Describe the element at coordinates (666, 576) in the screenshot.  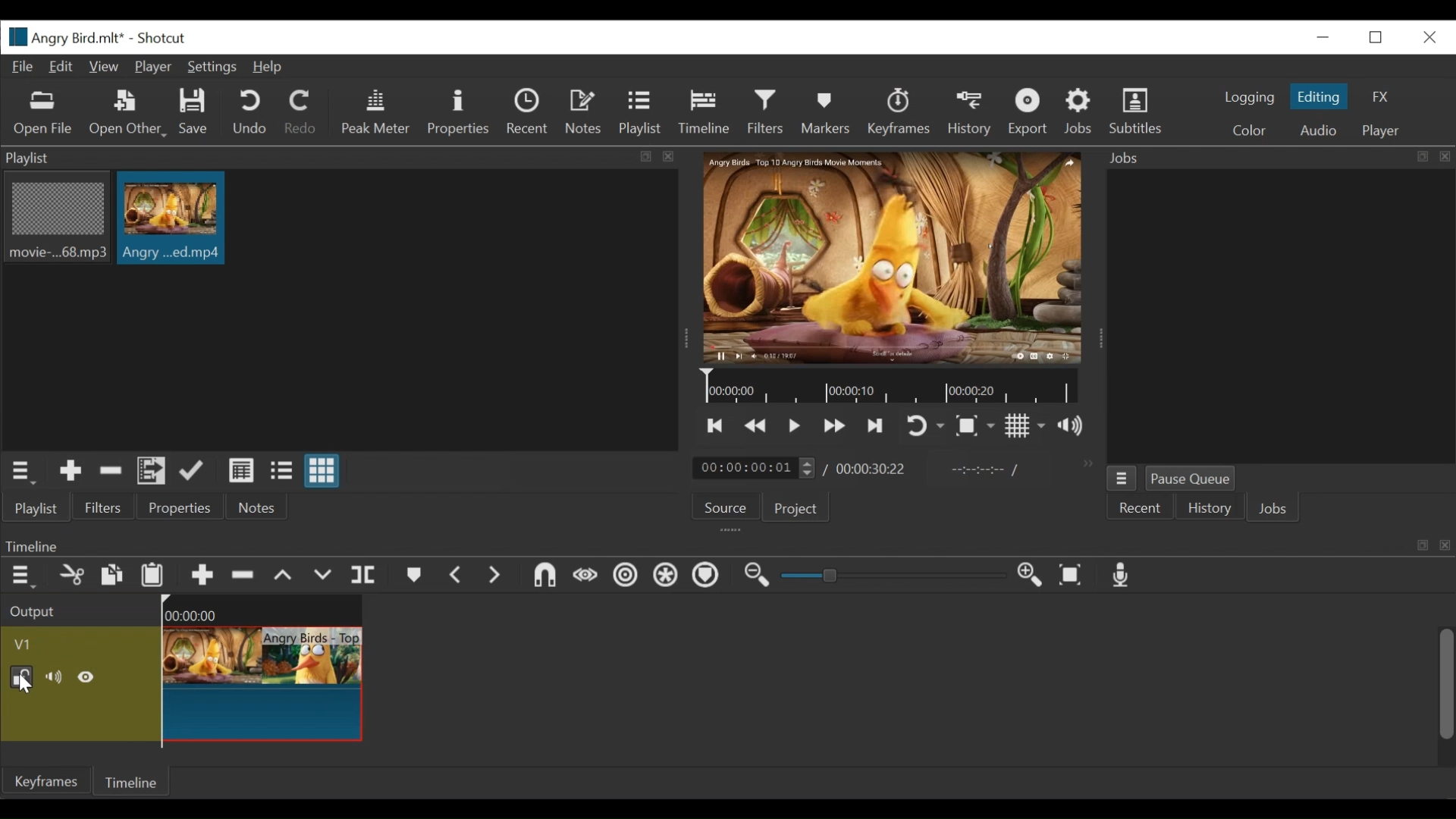
I see `Ripple all tracks` at that location.